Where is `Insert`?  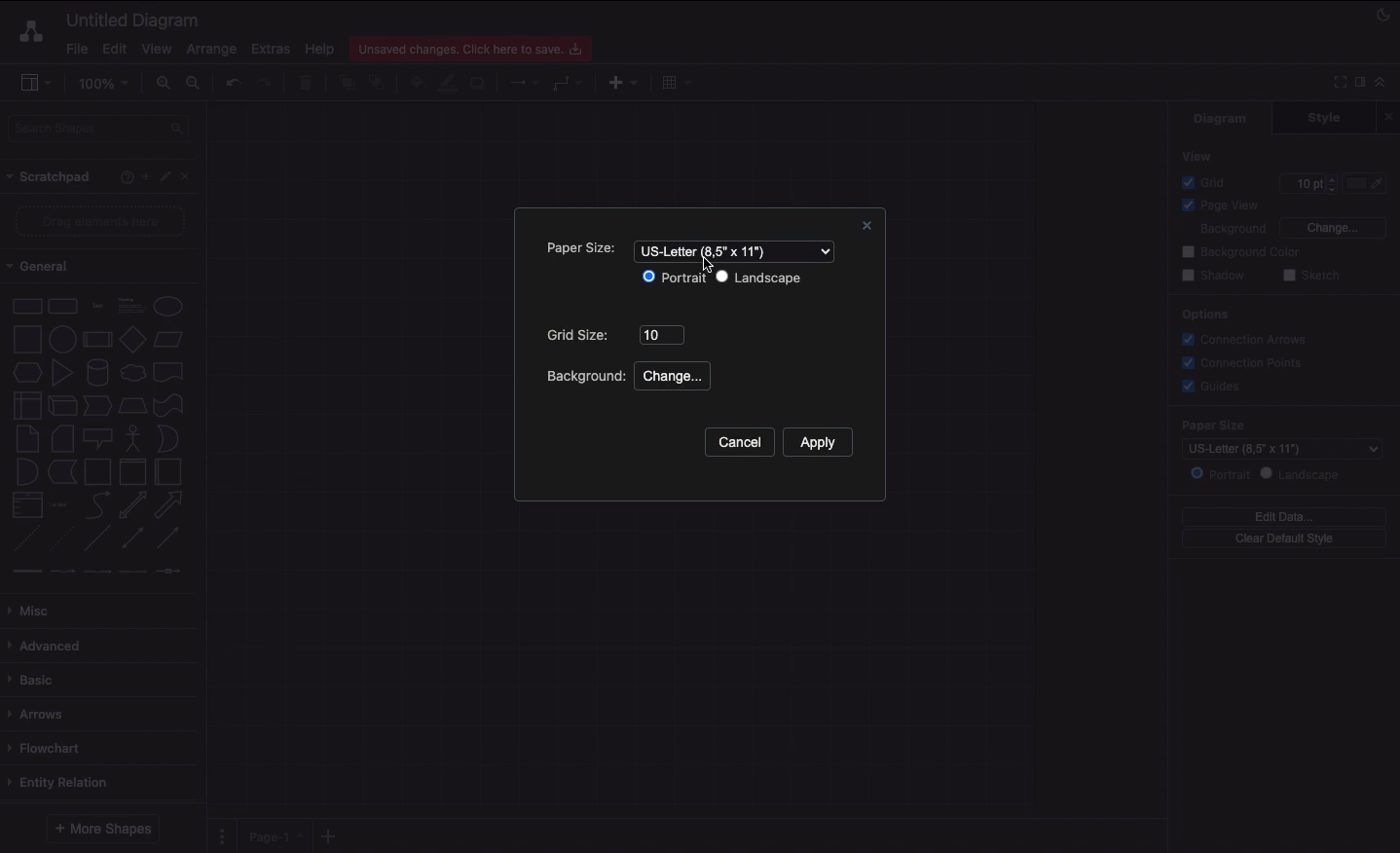 Insert is located at coordinates (618, 81).